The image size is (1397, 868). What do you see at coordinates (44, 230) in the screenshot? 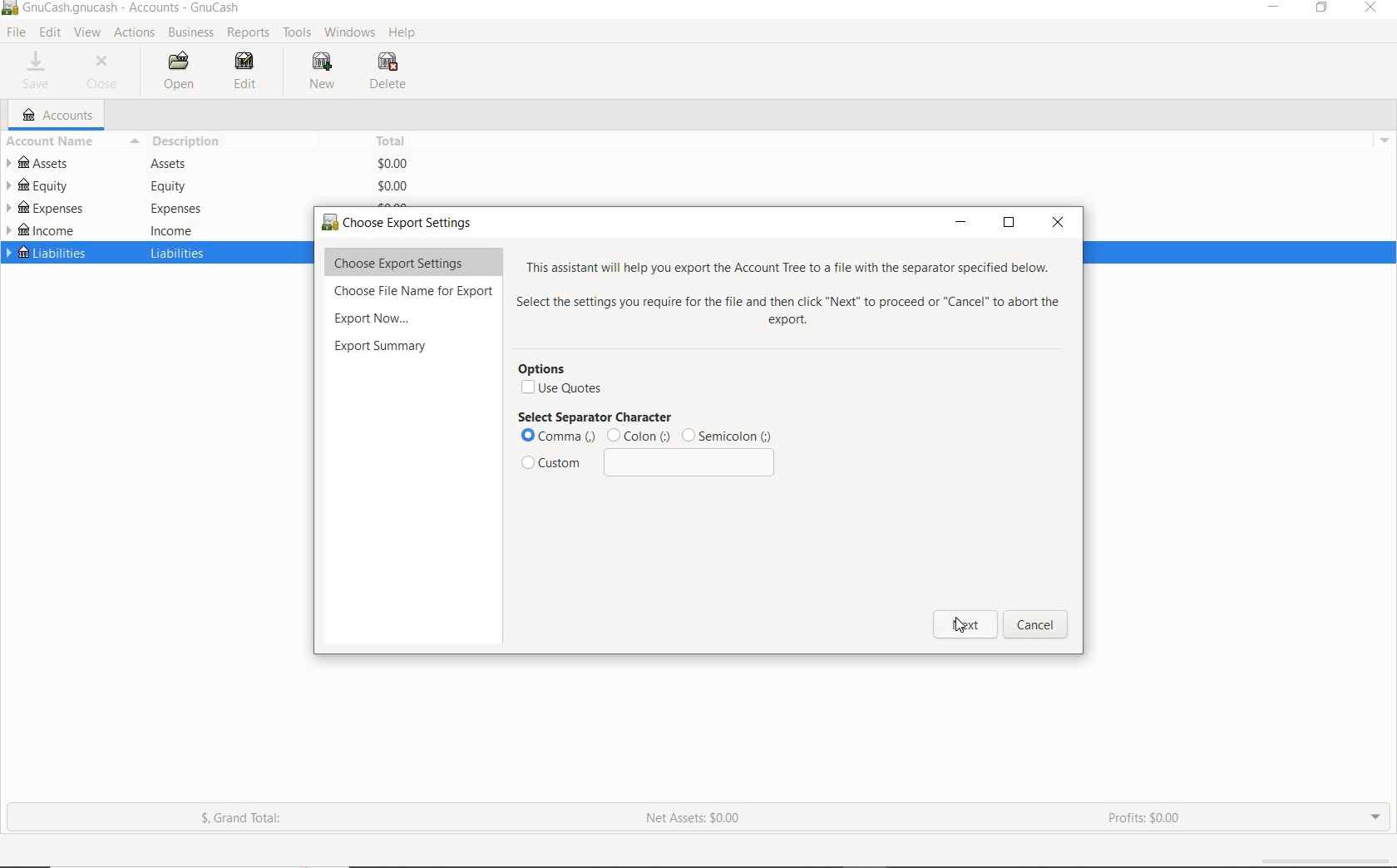
I see `INCOME` at bounding box center [44, 230].